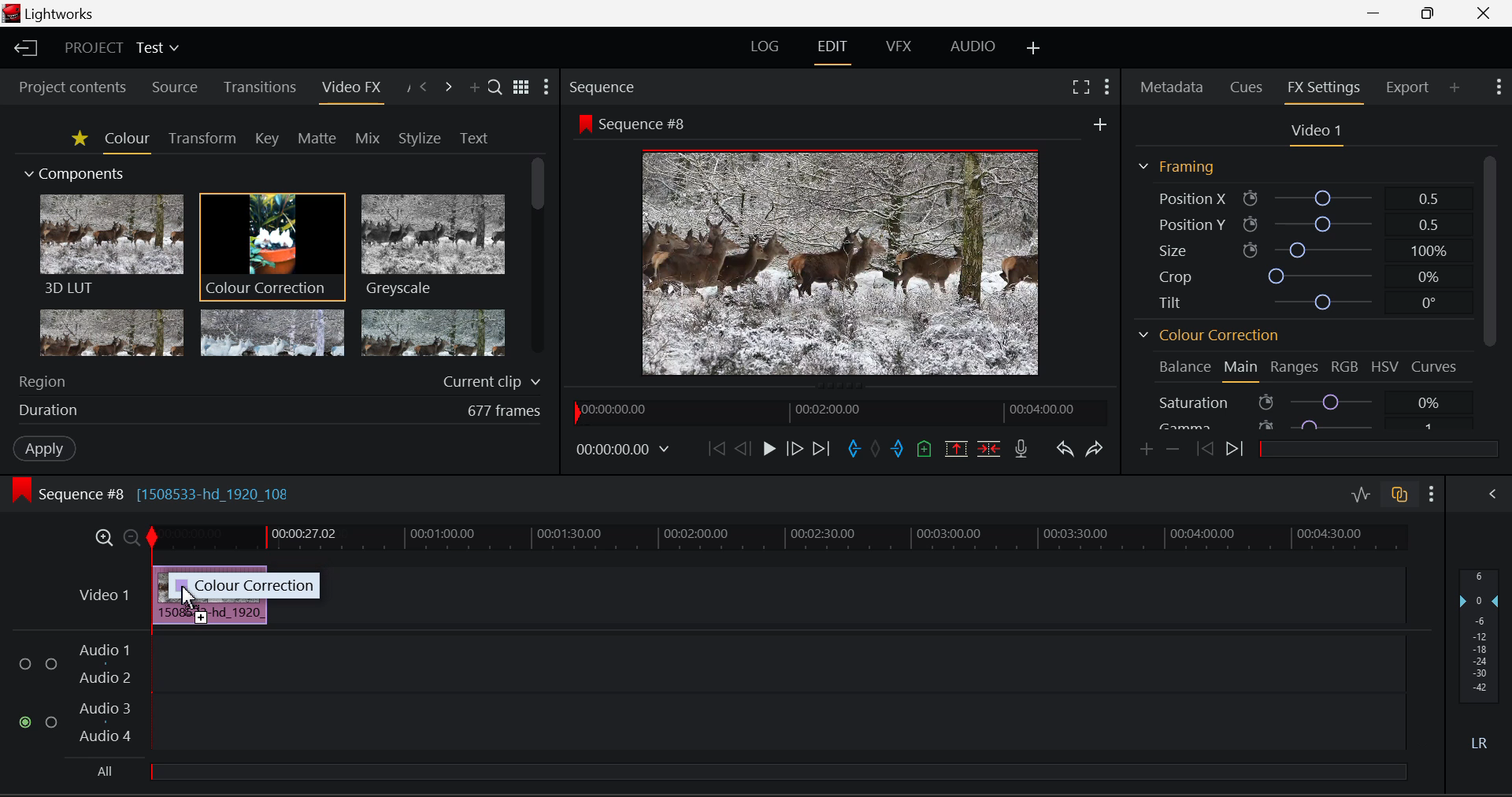  I want to click on Go Forward, so click(794, 451).